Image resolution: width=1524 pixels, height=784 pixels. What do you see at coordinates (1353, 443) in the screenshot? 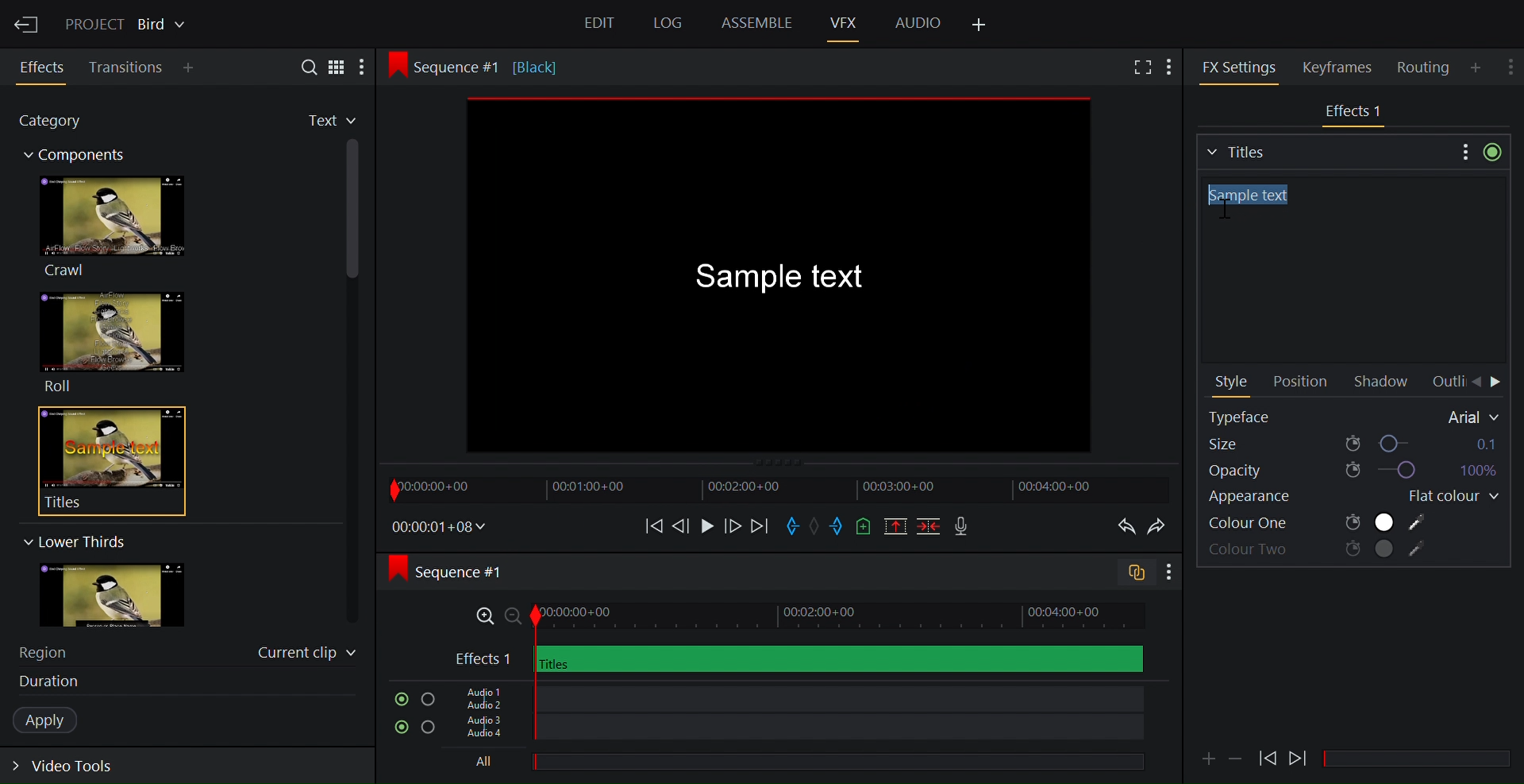
I see `Size` at bounding box center [1353, 443].